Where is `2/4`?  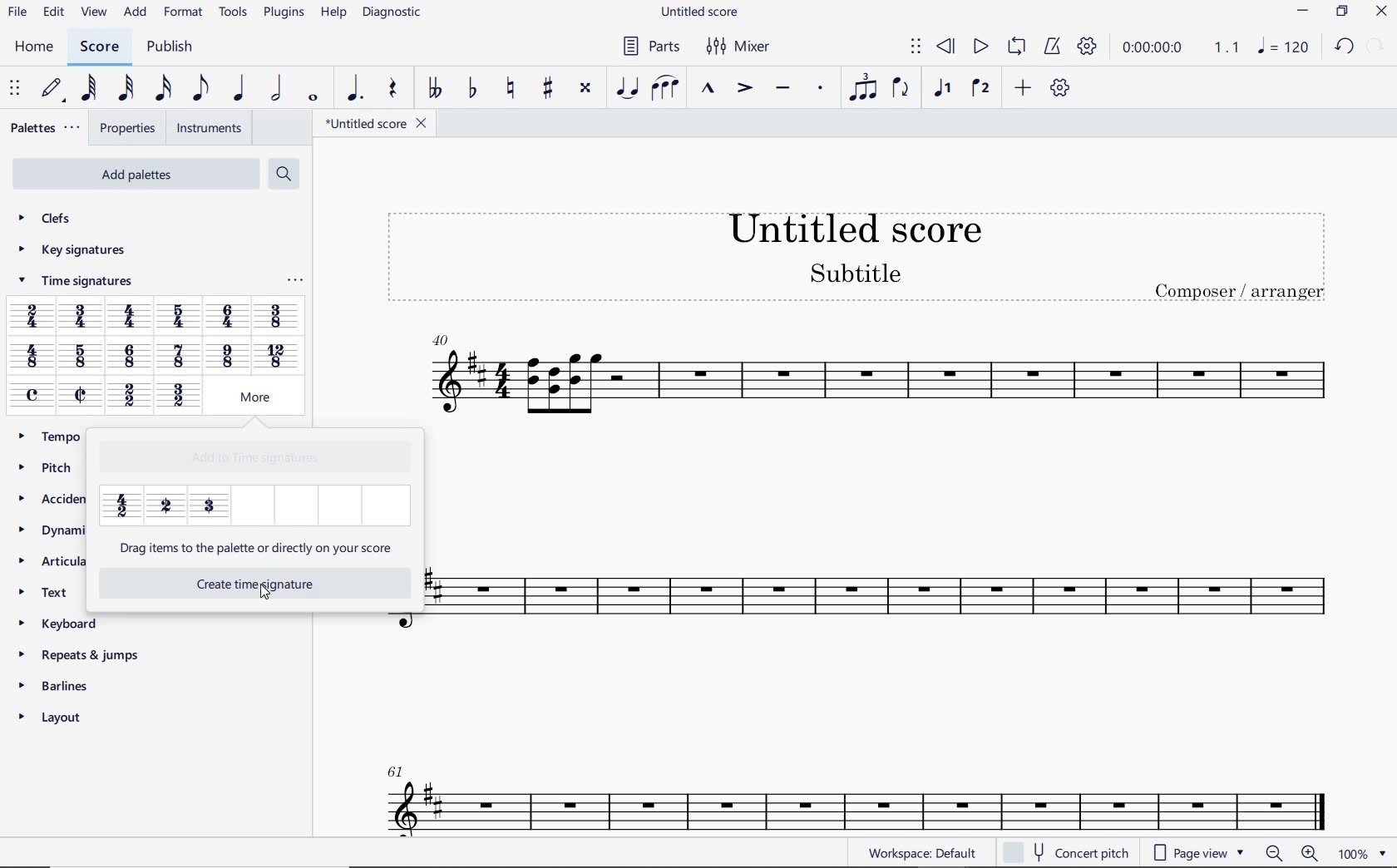
2/4 is located at coordinates (32, 316).